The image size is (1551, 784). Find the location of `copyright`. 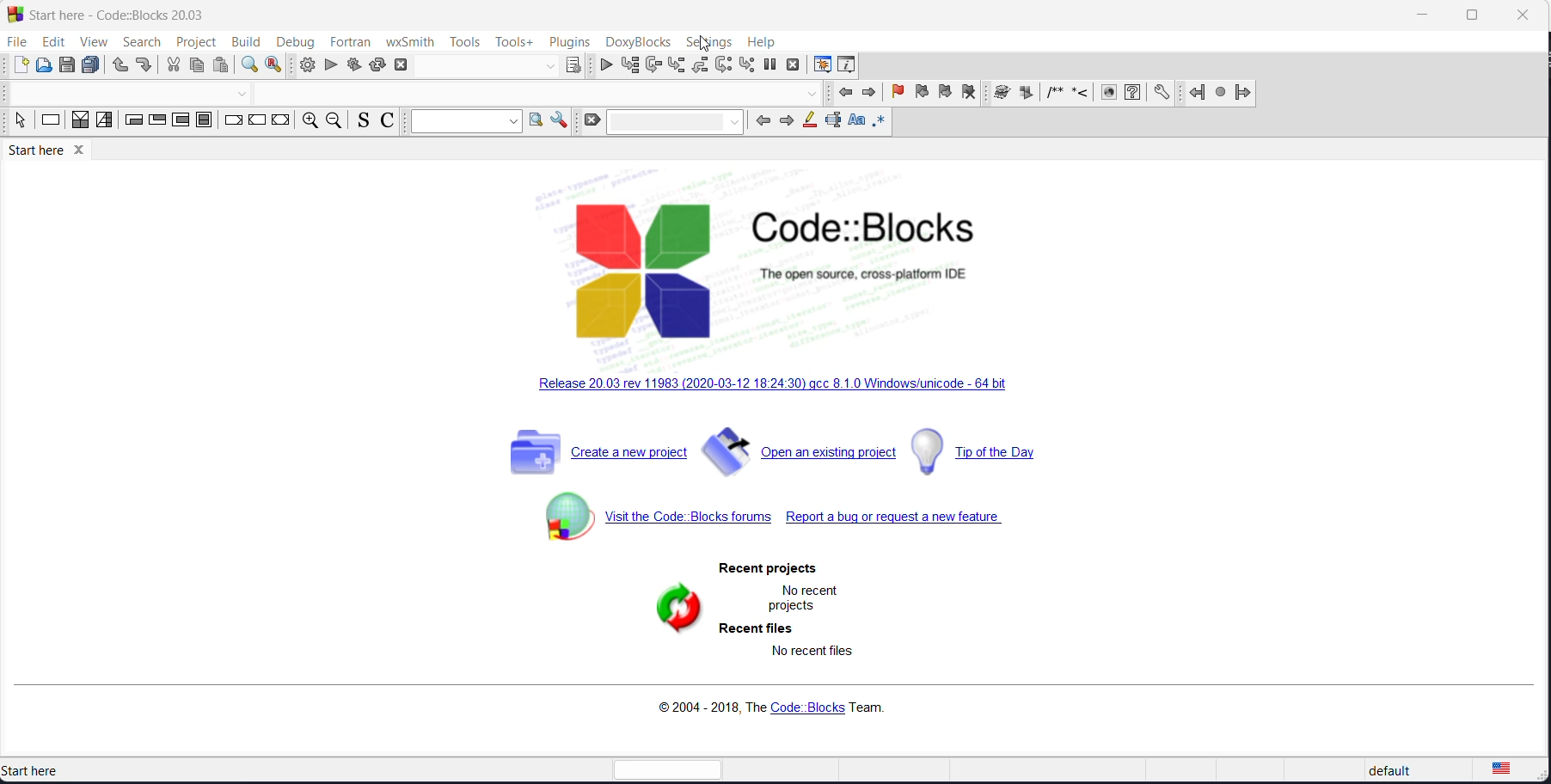

copyright is located at coordinates (769, 708).